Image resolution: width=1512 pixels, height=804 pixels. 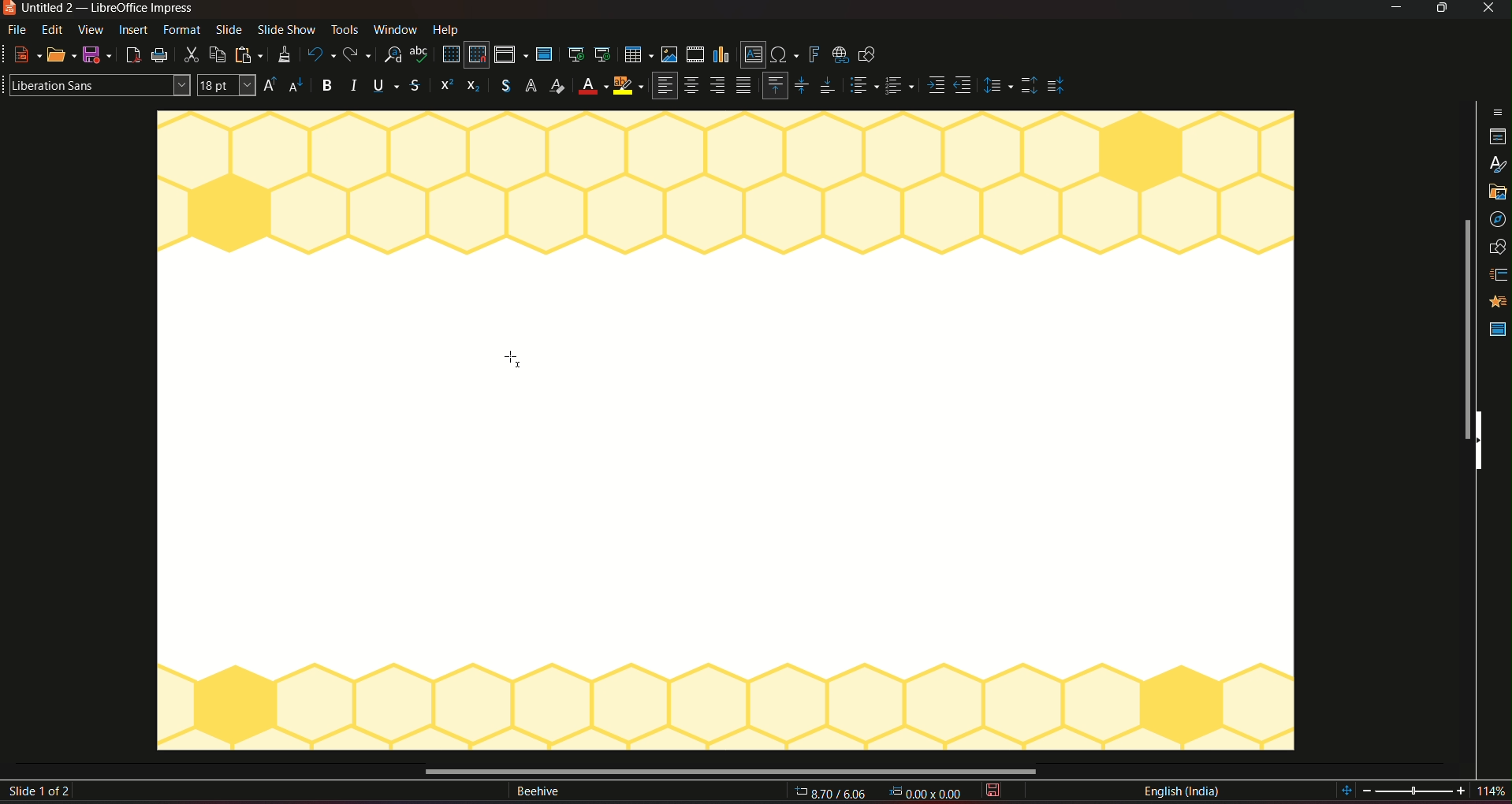 What do you see at coordinates (1497, 270) in the screenshot?
I see `animation` at bounding box center [1497, 270].